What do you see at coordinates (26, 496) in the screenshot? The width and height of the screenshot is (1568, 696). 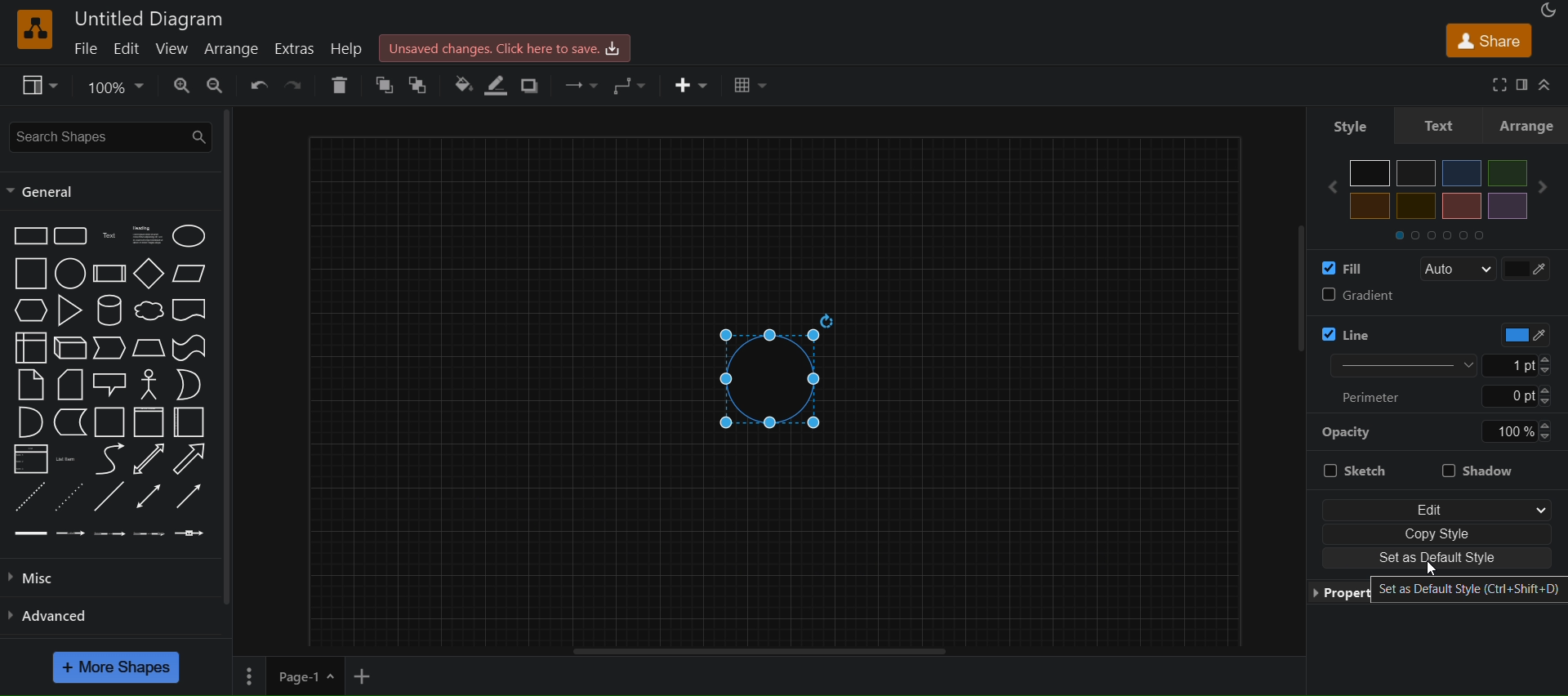 I see `dashed line` at bounding box center [26, 496].